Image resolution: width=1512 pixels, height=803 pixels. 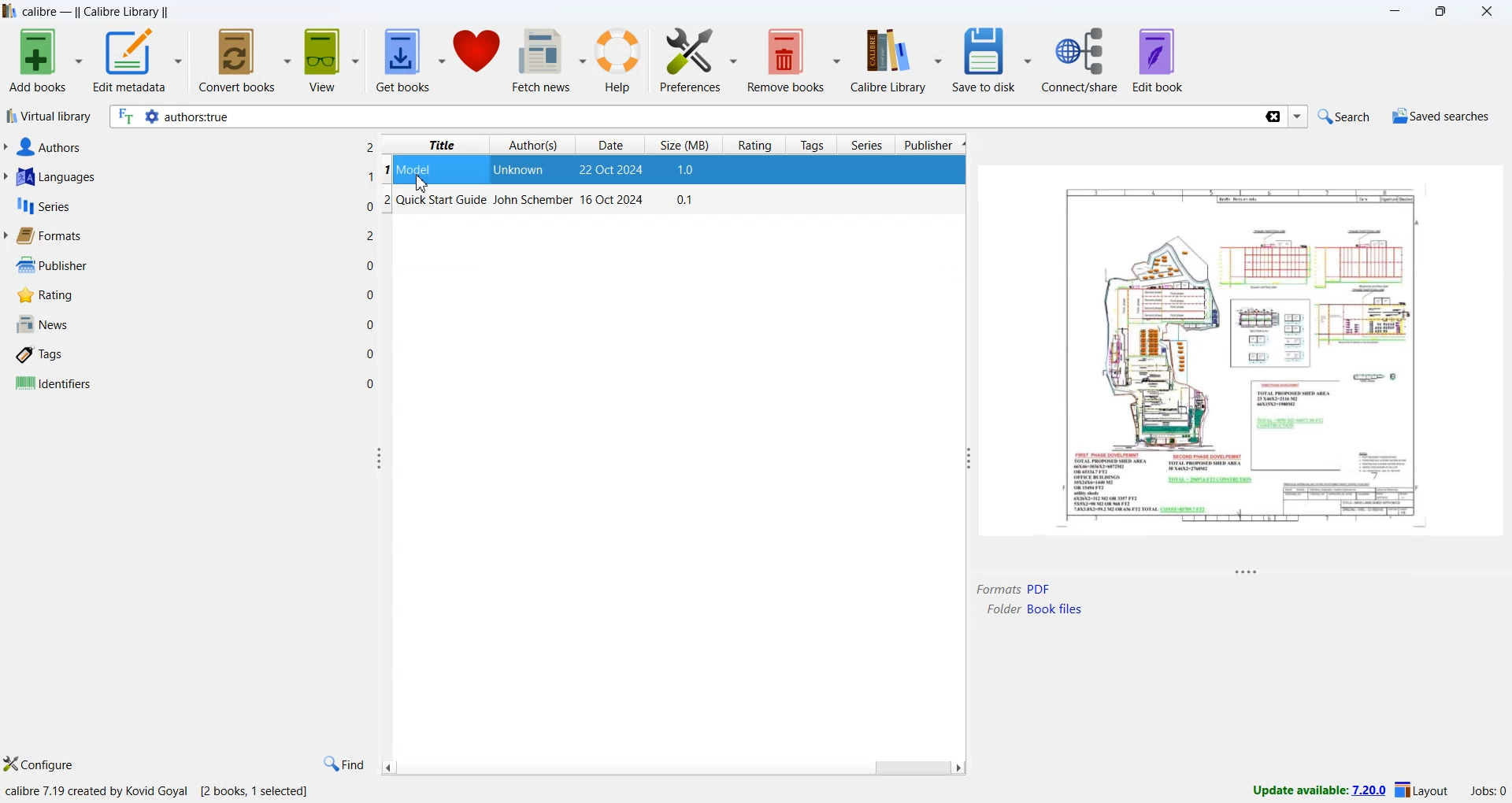 What do you see at coordinates (479, 55) in the screenshot?
I see `donate to support calibre` at bounding box center [479, 55].